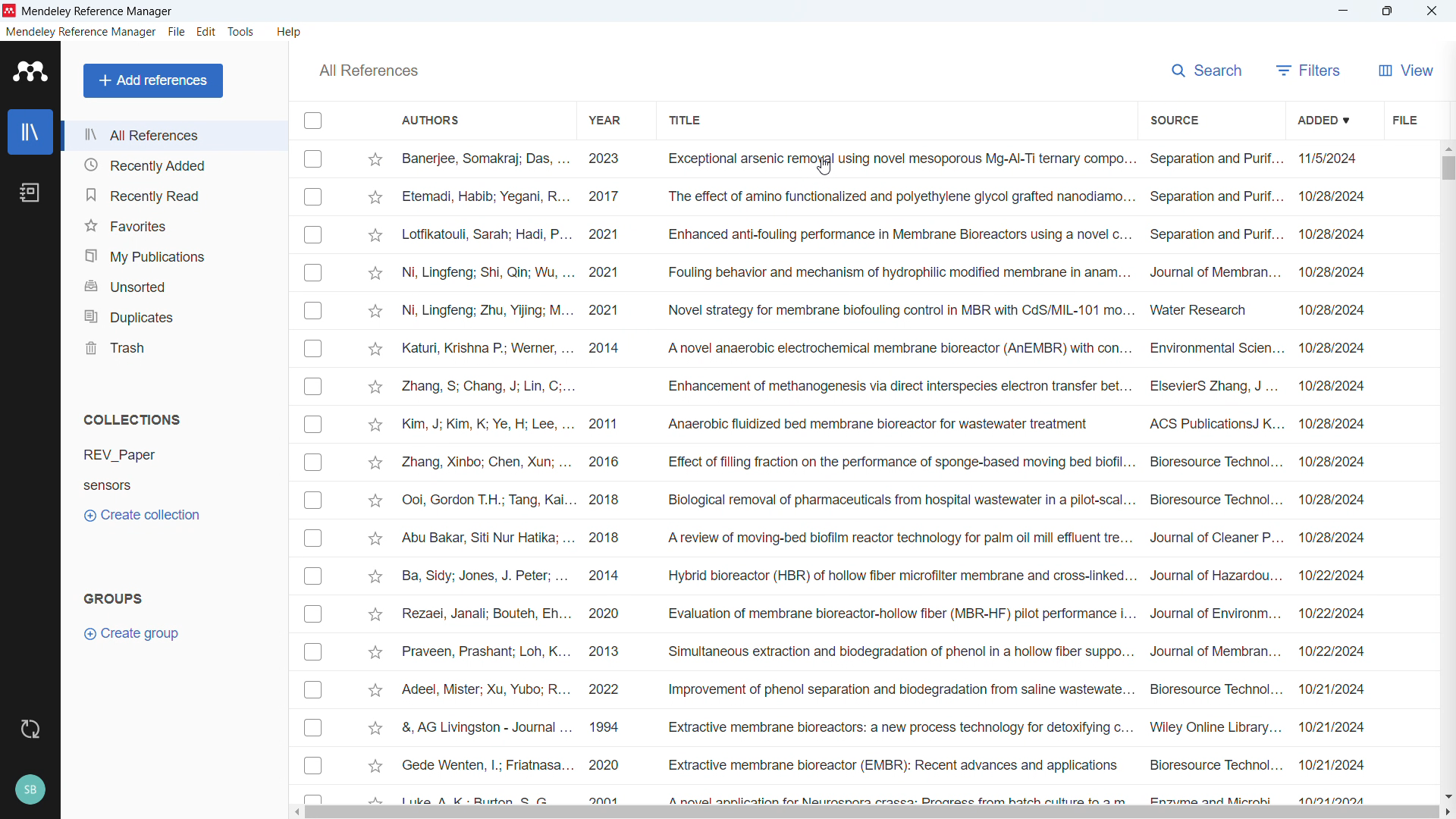 Image resolution: width=1456 pixels, height=819 pixels. I want to click on 2020, so click(609, 616).